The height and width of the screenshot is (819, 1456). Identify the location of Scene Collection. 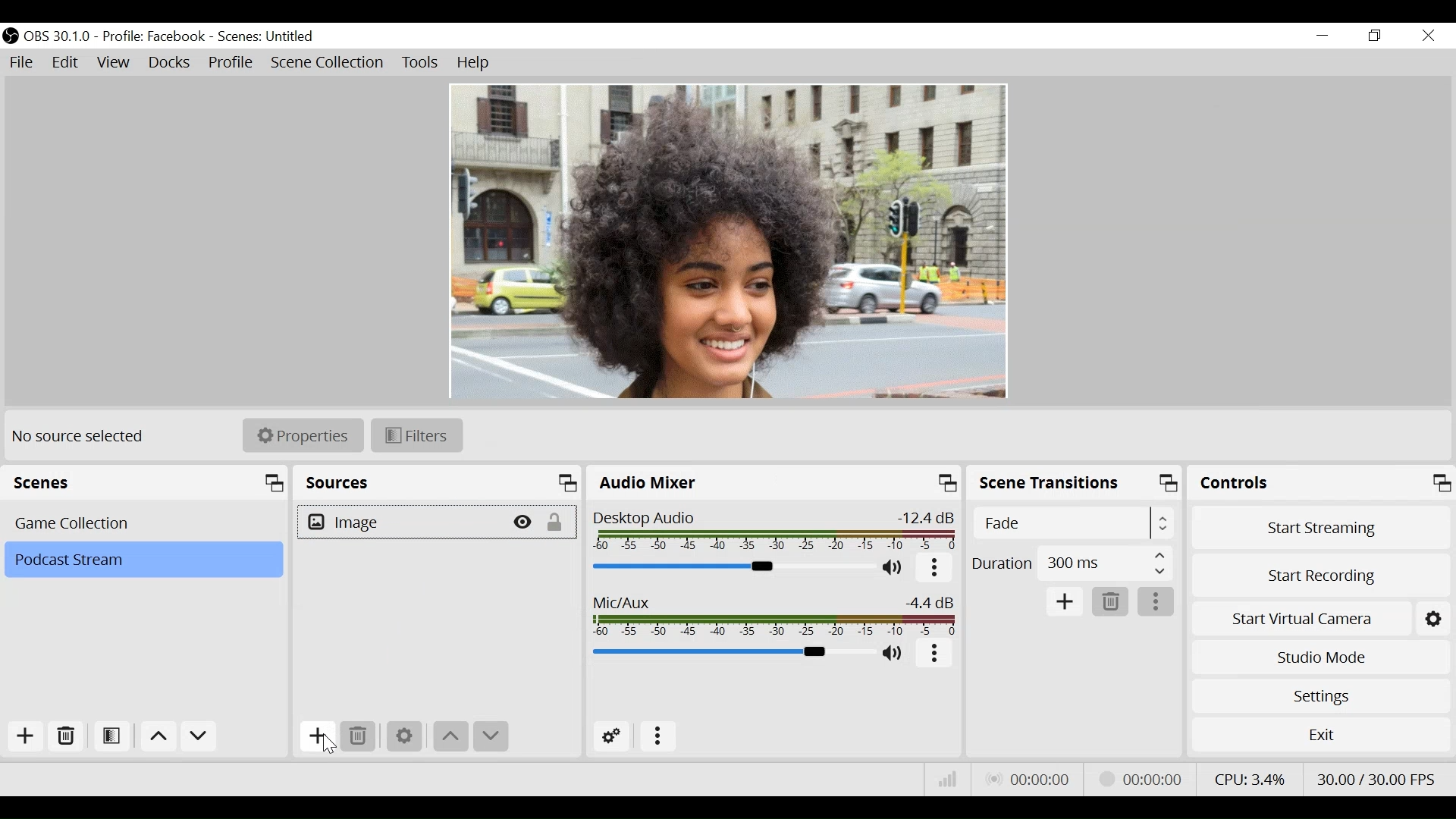
(328, 63).